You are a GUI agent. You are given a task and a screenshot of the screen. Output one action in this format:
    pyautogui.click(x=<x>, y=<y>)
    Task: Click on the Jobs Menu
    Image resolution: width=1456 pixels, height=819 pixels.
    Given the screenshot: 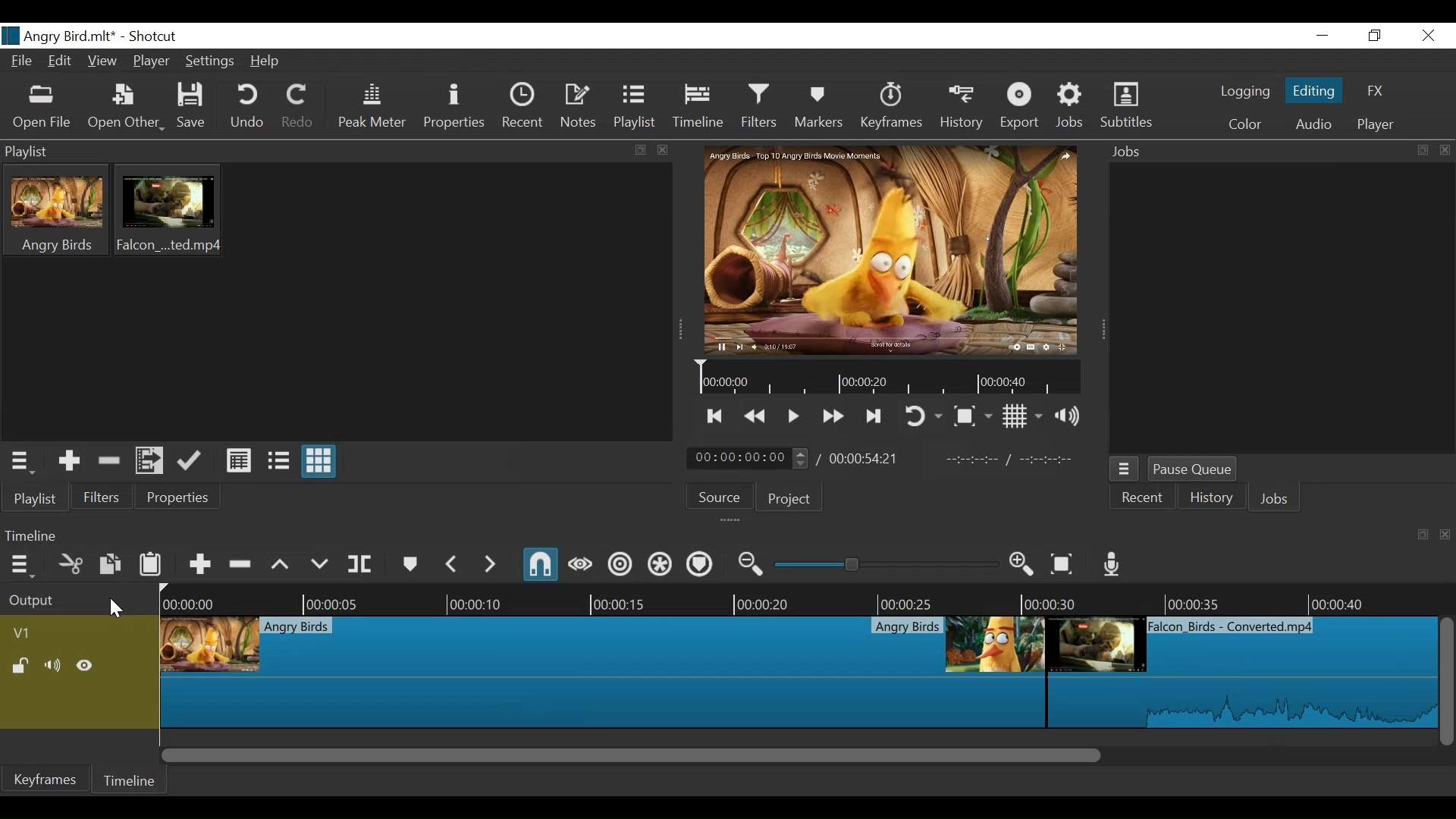 What is the action you would take?
    pyautogui.click(x=1125, y=469)
    